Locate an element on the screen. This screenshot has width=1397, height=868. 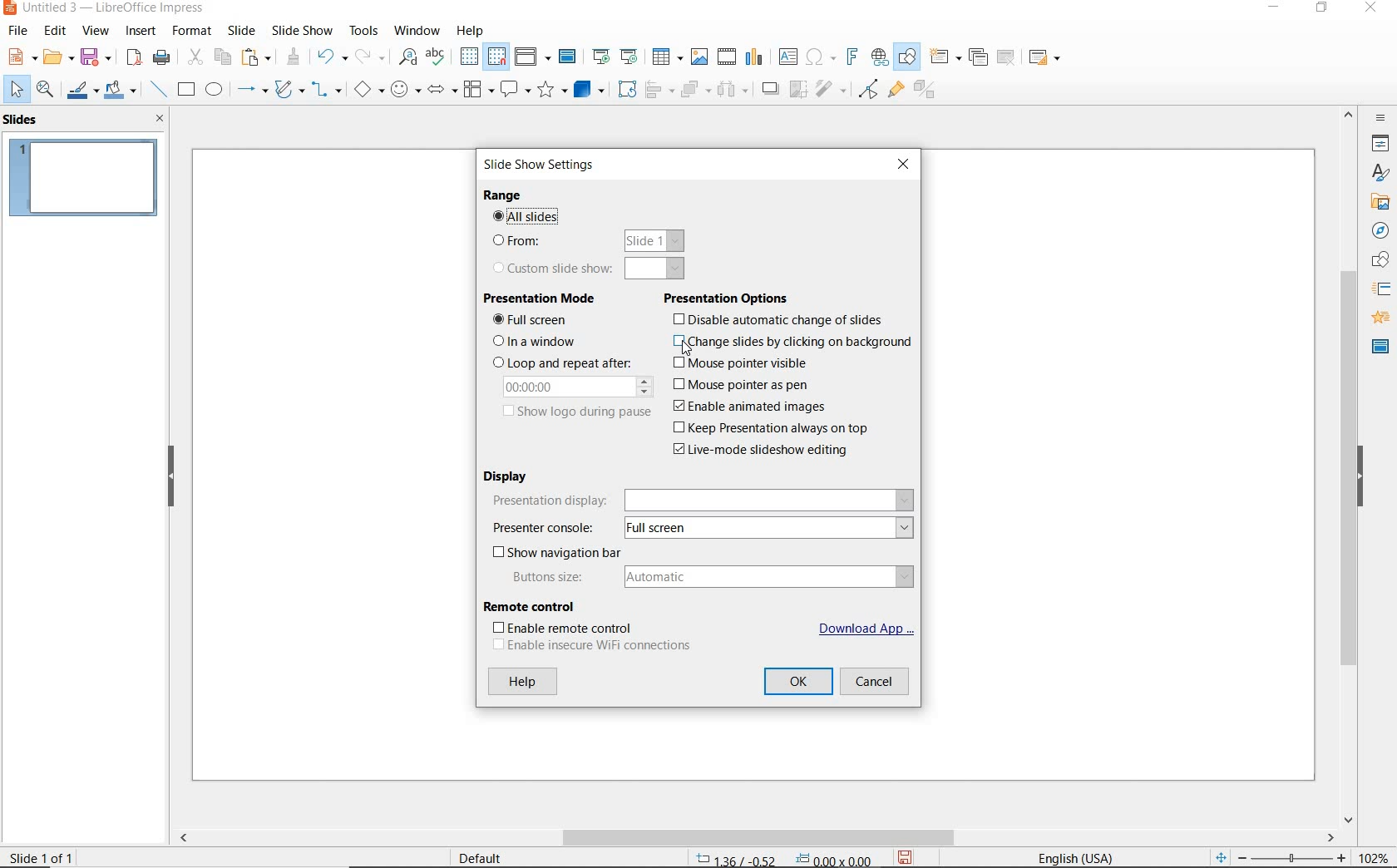
START FROM CURRENT SLIDE is located at coordinates (629, 56).